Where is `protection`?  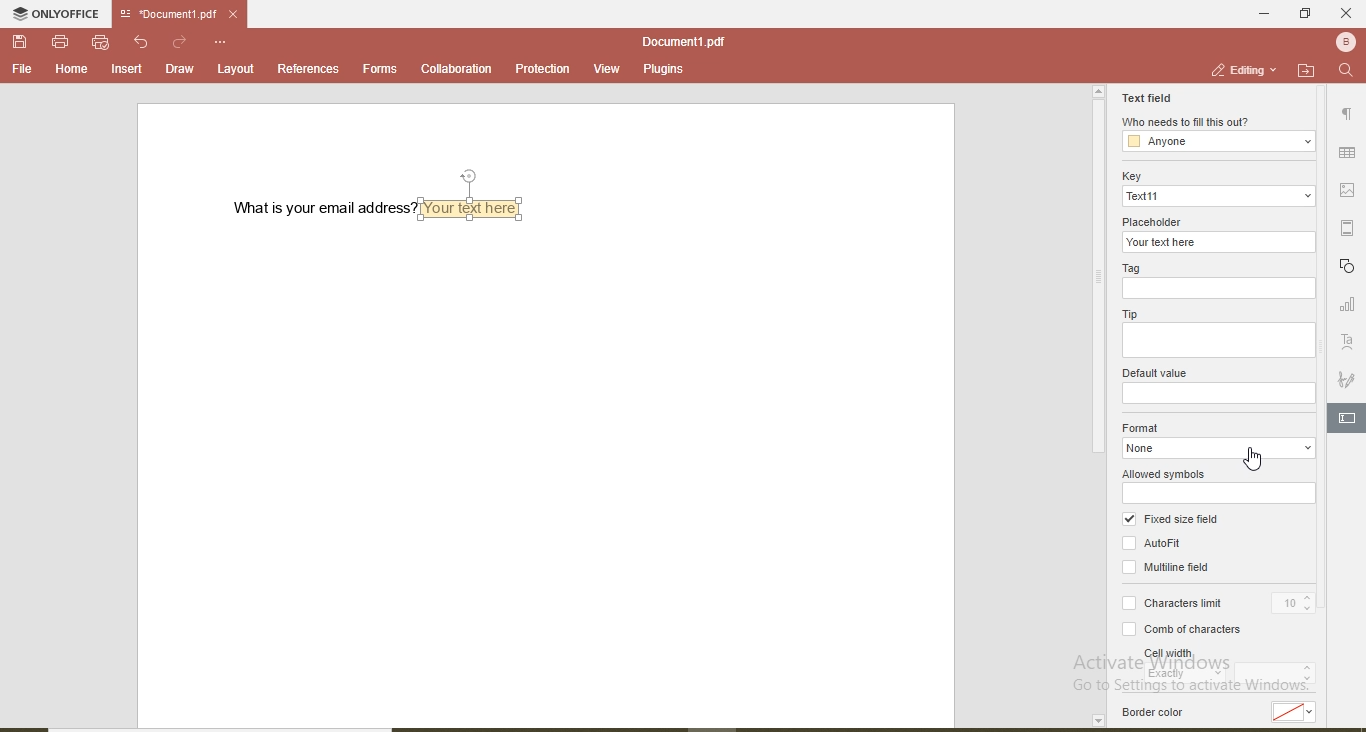 protection is located at coordinates (538, 69).